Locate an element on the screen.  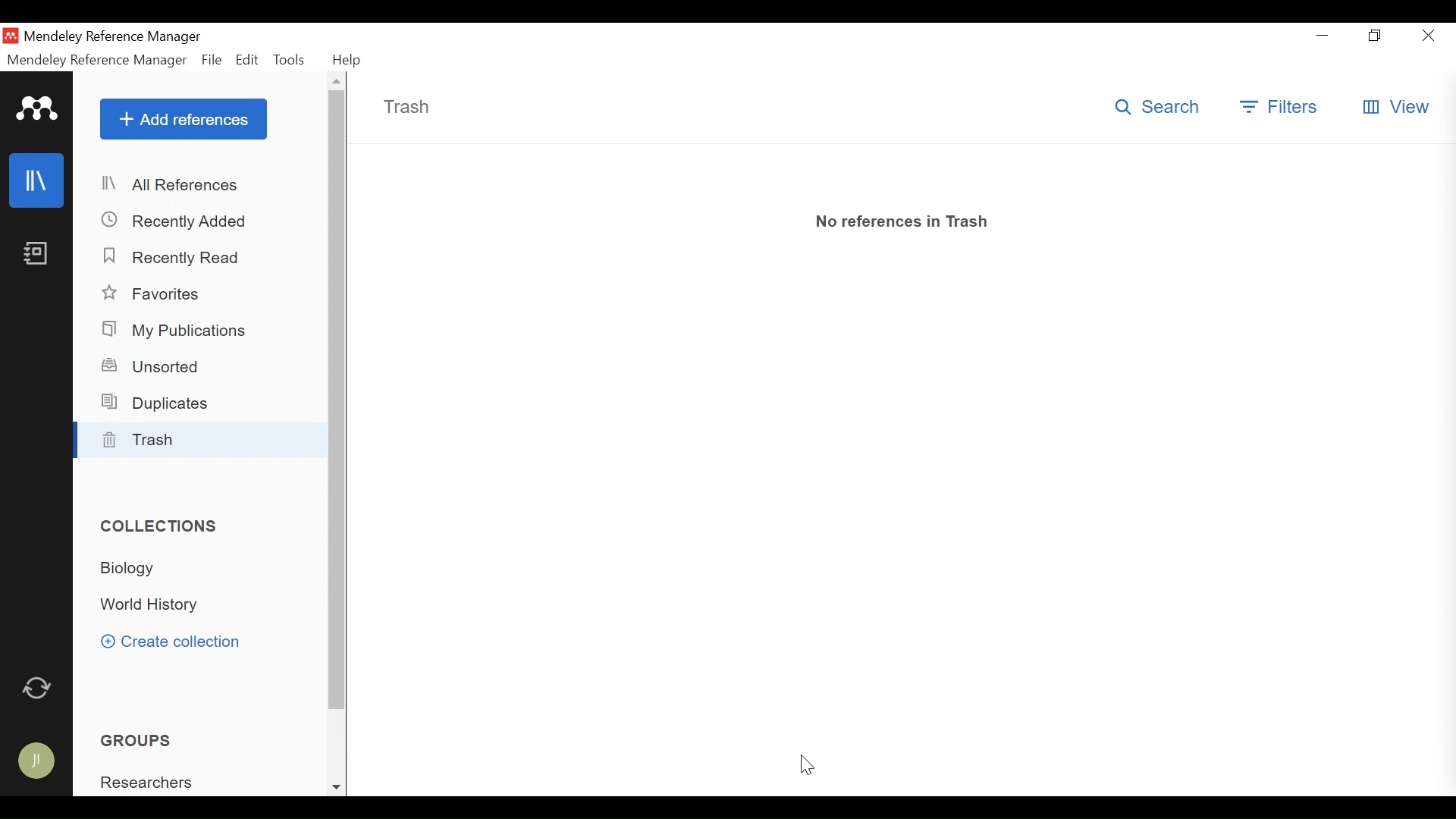
World History is located at coordinates (158, 607).